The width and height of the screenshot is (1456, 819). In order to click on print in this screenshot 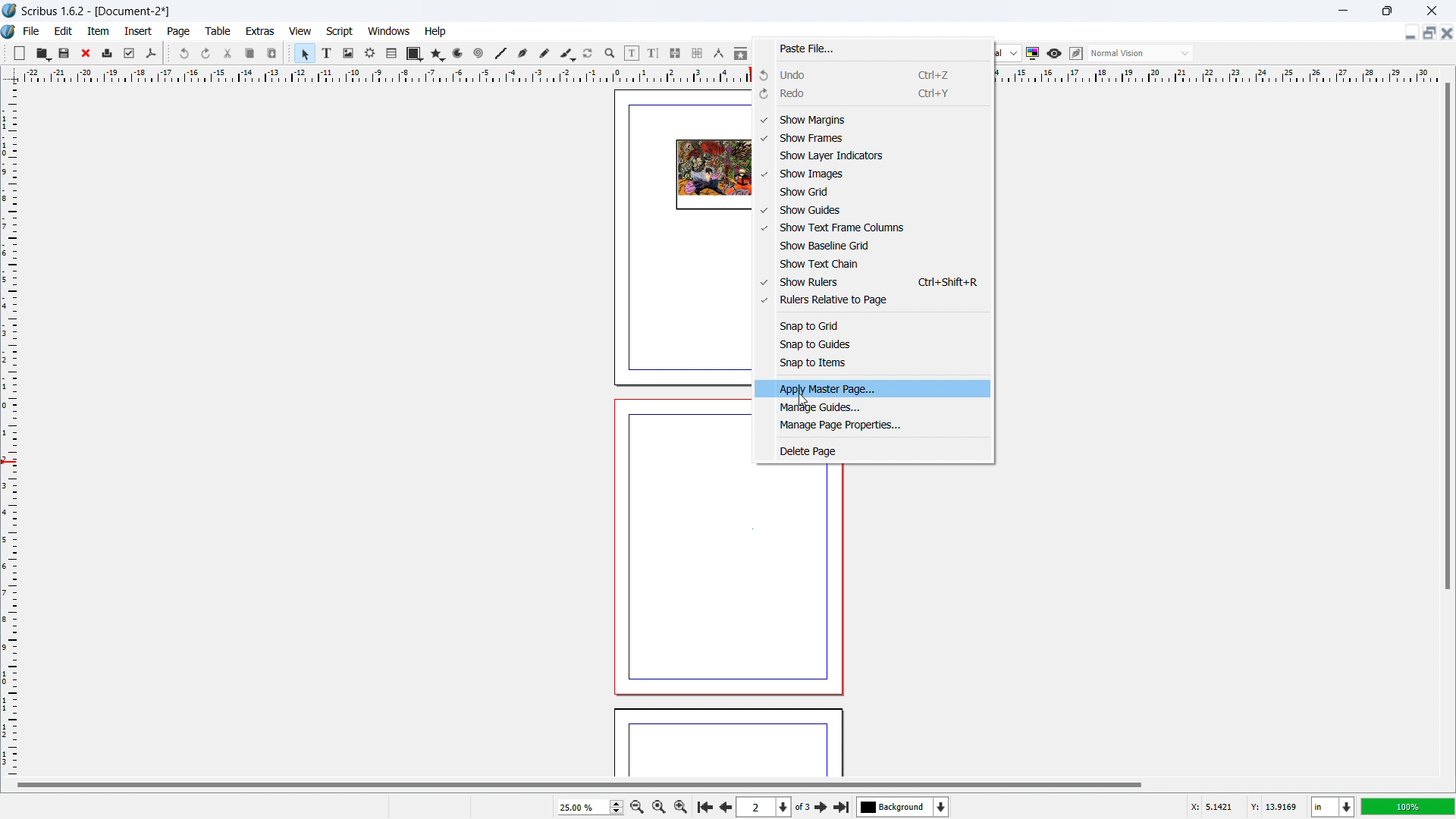, I will do `click(108, 52)`.